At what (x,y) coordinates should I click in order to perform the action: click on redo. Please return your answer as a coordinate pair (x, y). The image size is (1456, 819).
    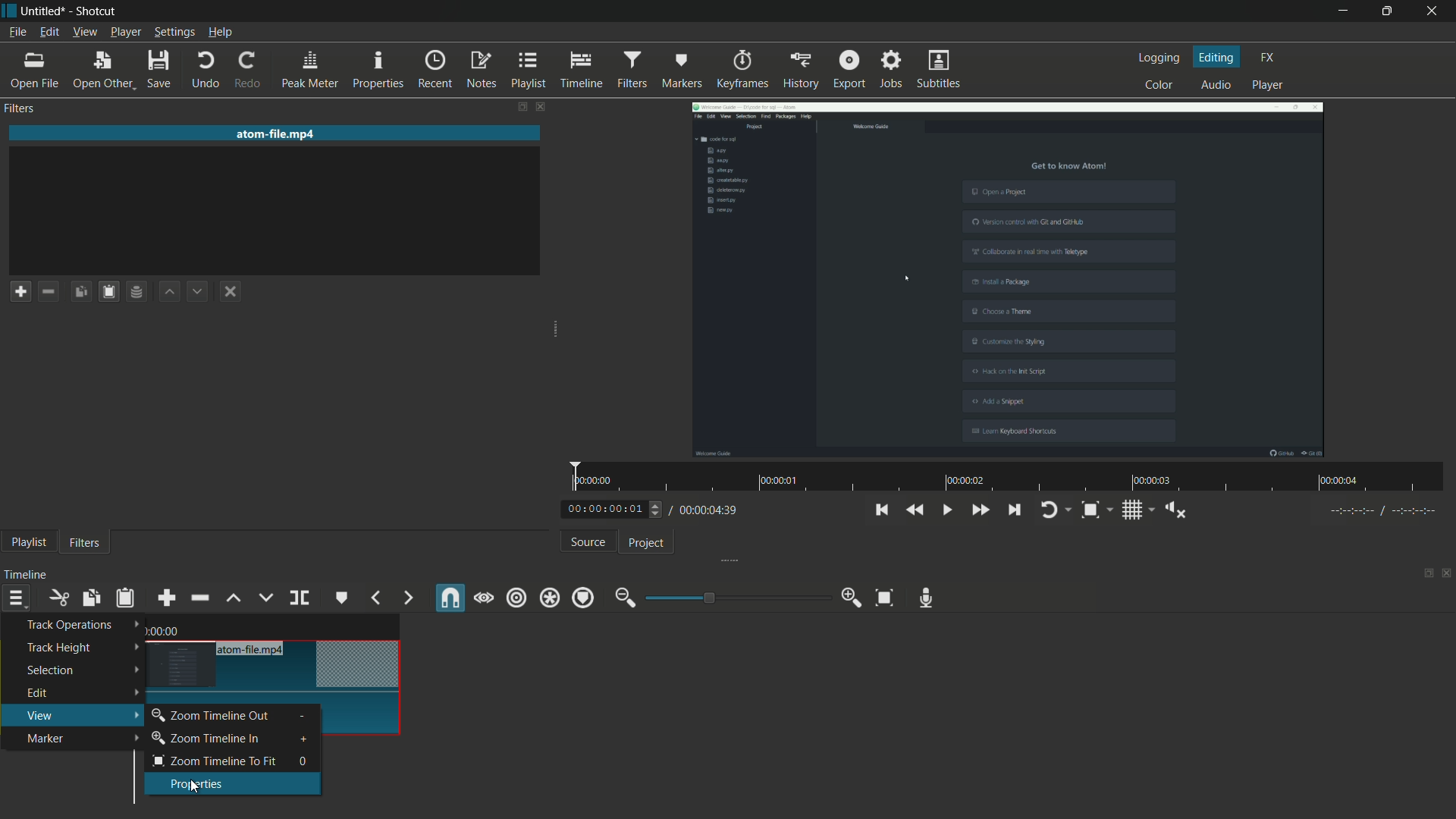
    Looking at the image, I should click on (249, 69).